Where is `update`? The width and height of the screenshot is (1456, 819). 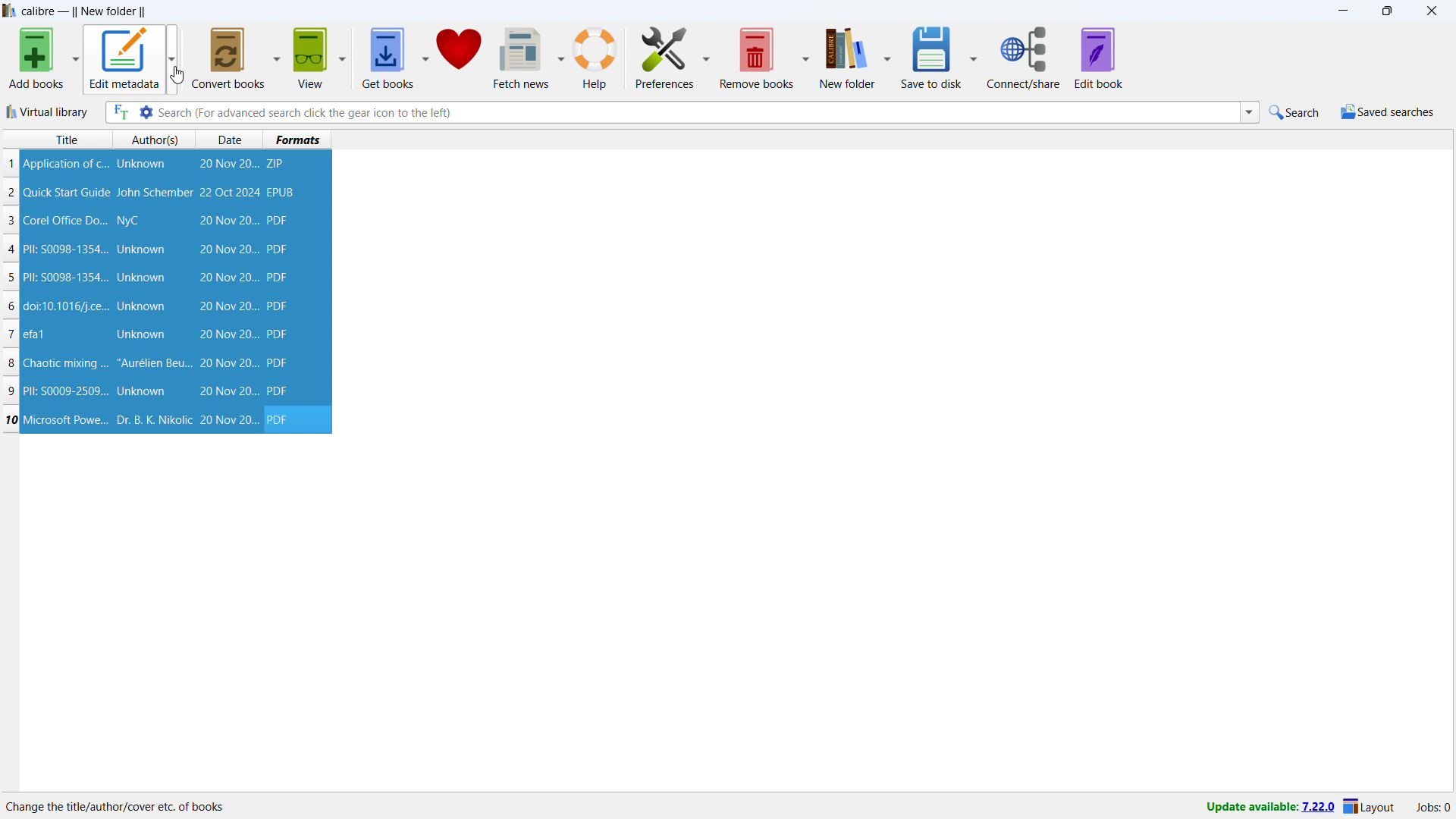 update is located at coordinates (1267, 808).